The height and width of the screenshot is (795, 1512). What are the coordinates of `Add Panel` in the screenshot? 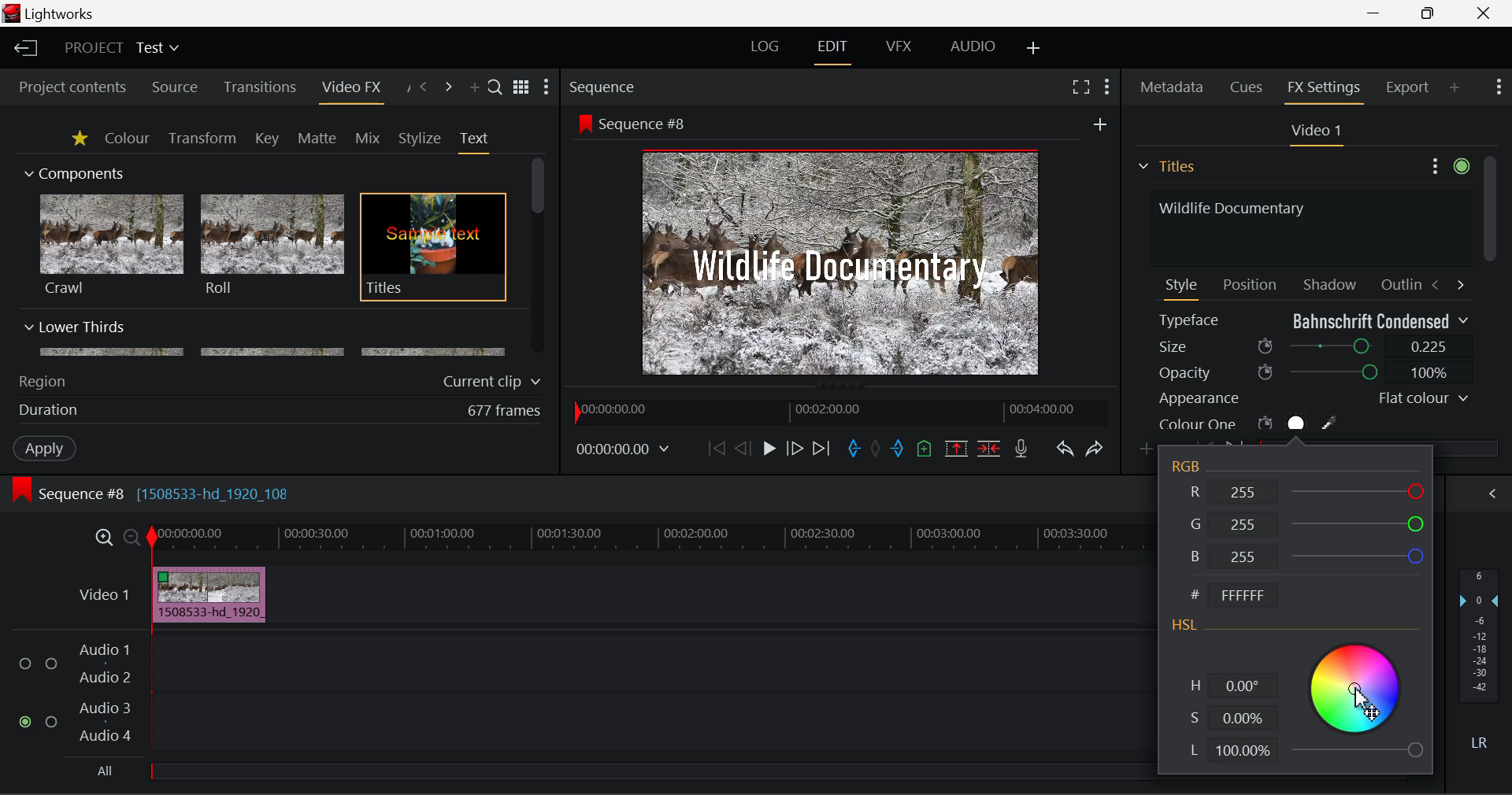 It's located at (472, 88).